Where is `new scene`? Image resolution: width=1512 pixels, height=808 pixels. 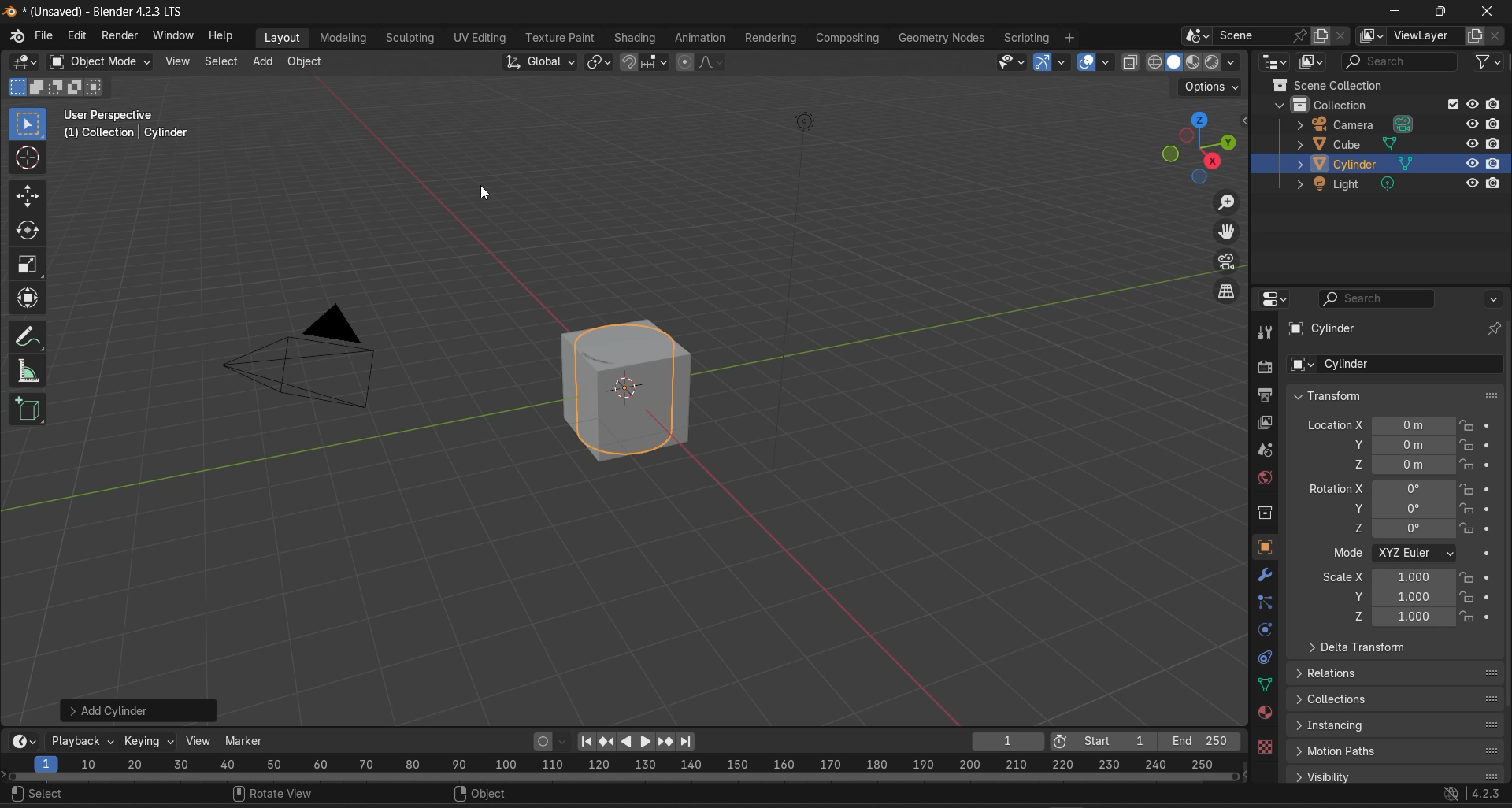 new scene is located at coordinates (1320, 35).